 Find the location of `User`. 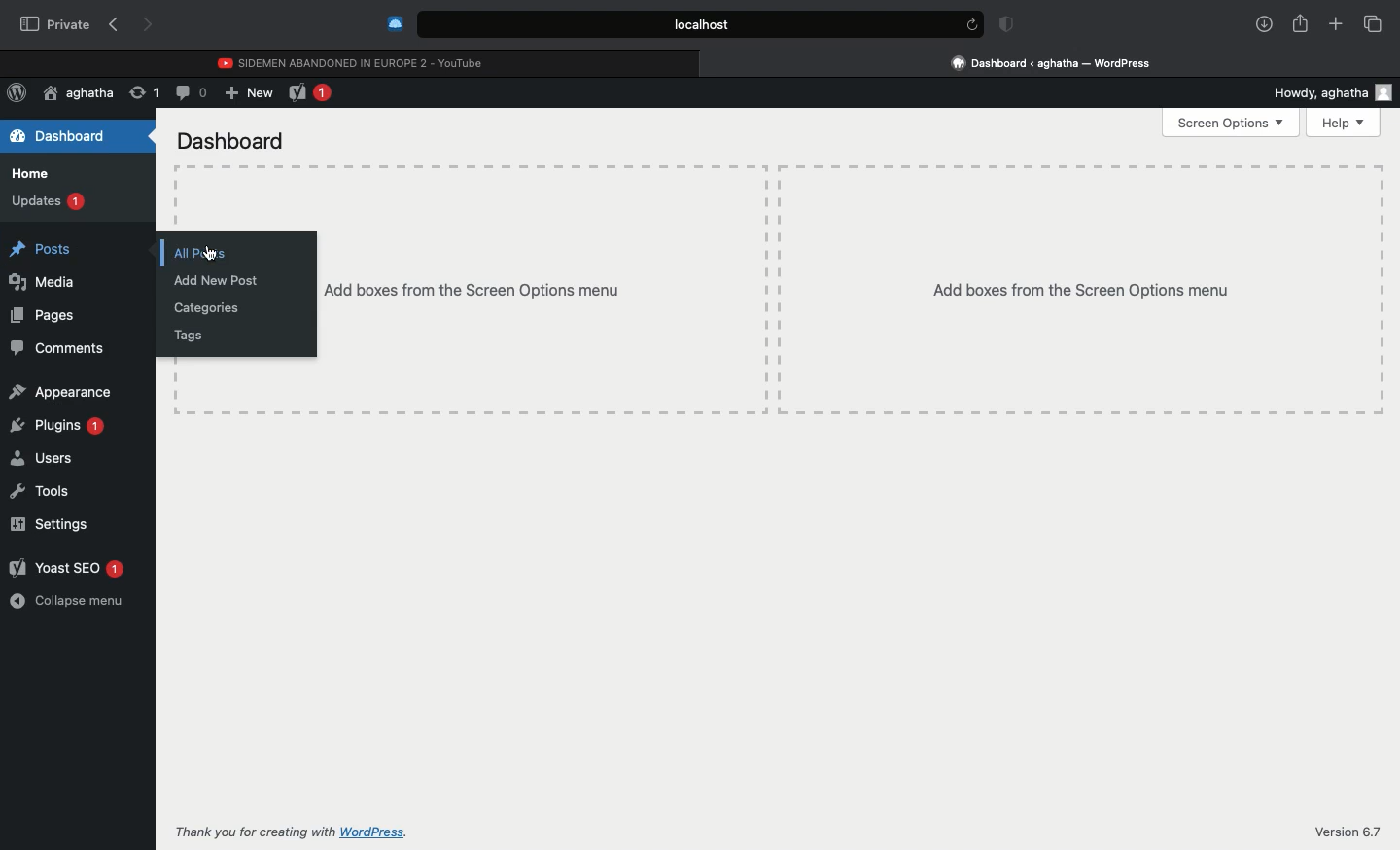

User is located at coordinates (79, 93).